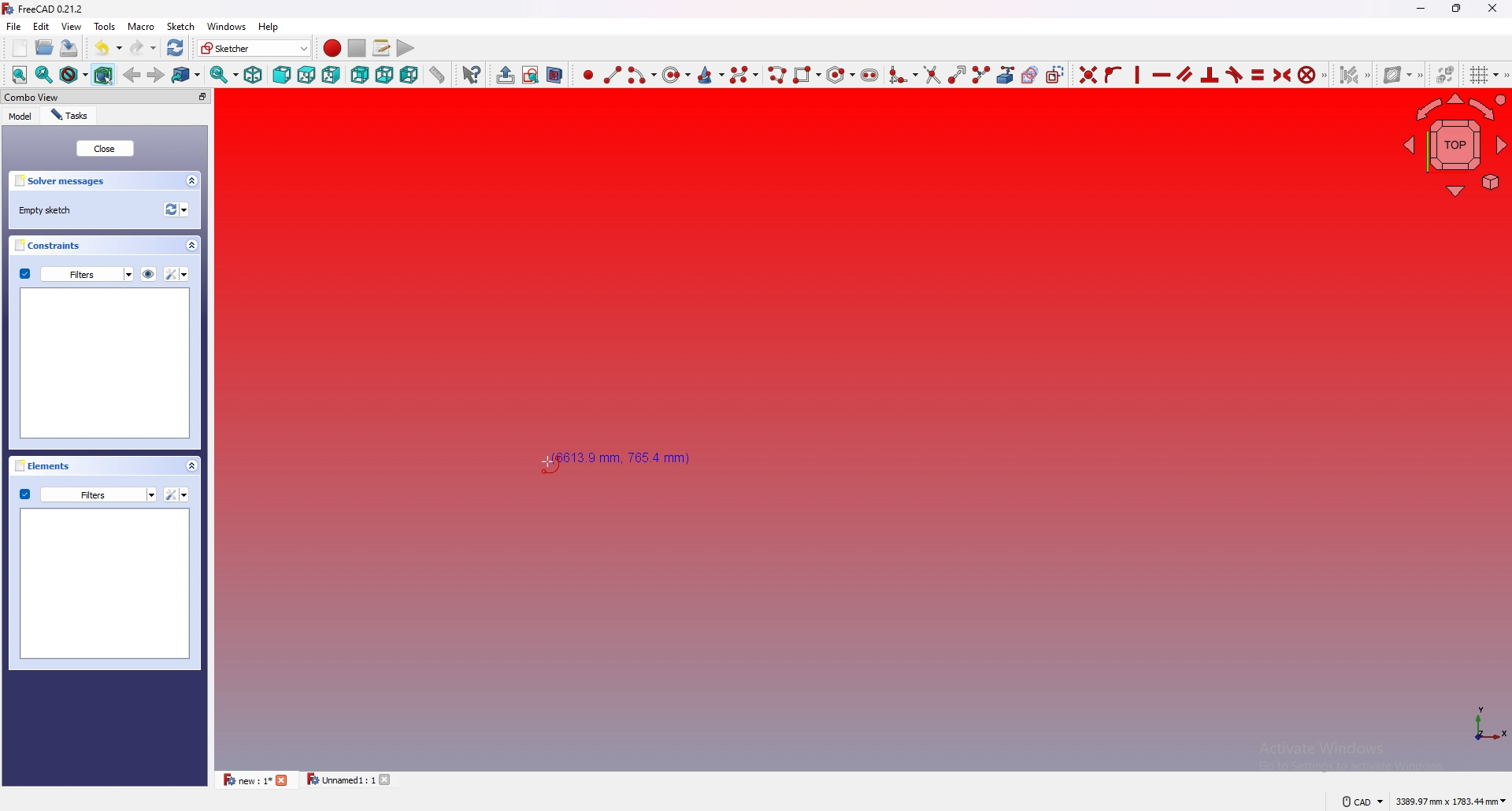 The image size is (1512, 811). What do you see at coordinates (280, 76) in the screenshot?
I see `front` at bounding box center [280, 76].